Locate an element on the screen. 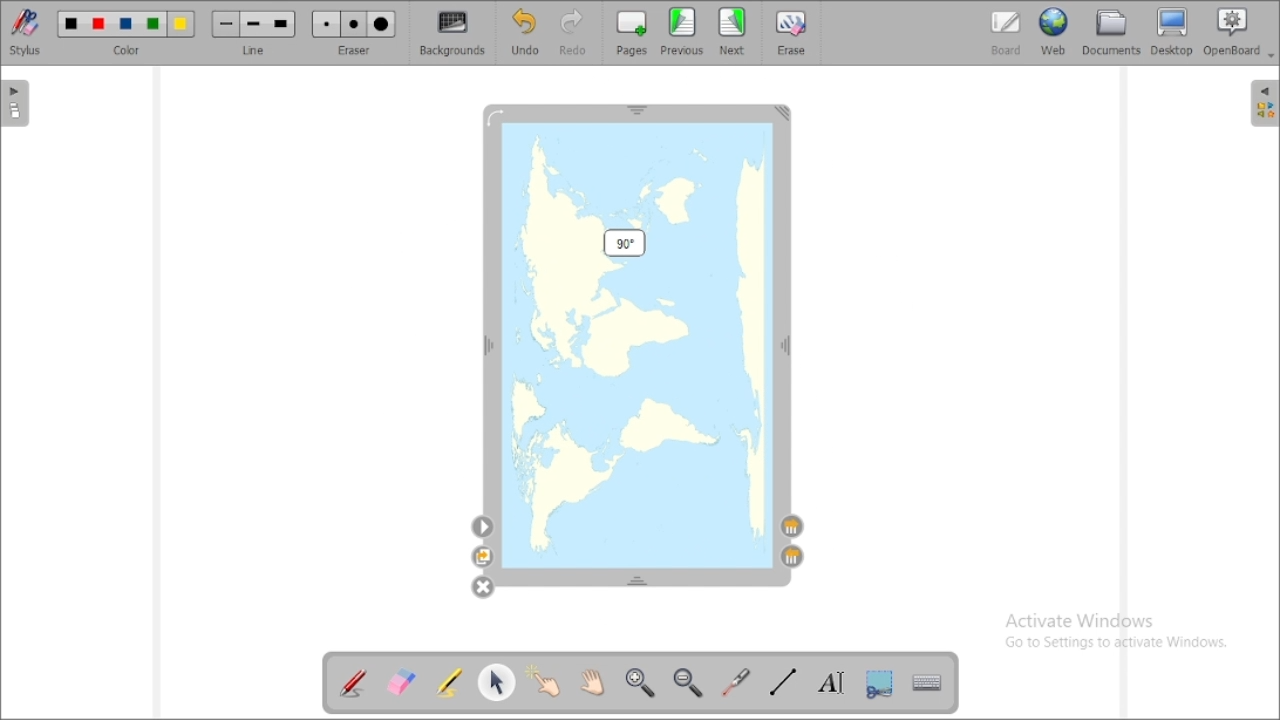 The height and width of the screenshot is (720, 1280). zoom in is located at coordinates (640, 681).